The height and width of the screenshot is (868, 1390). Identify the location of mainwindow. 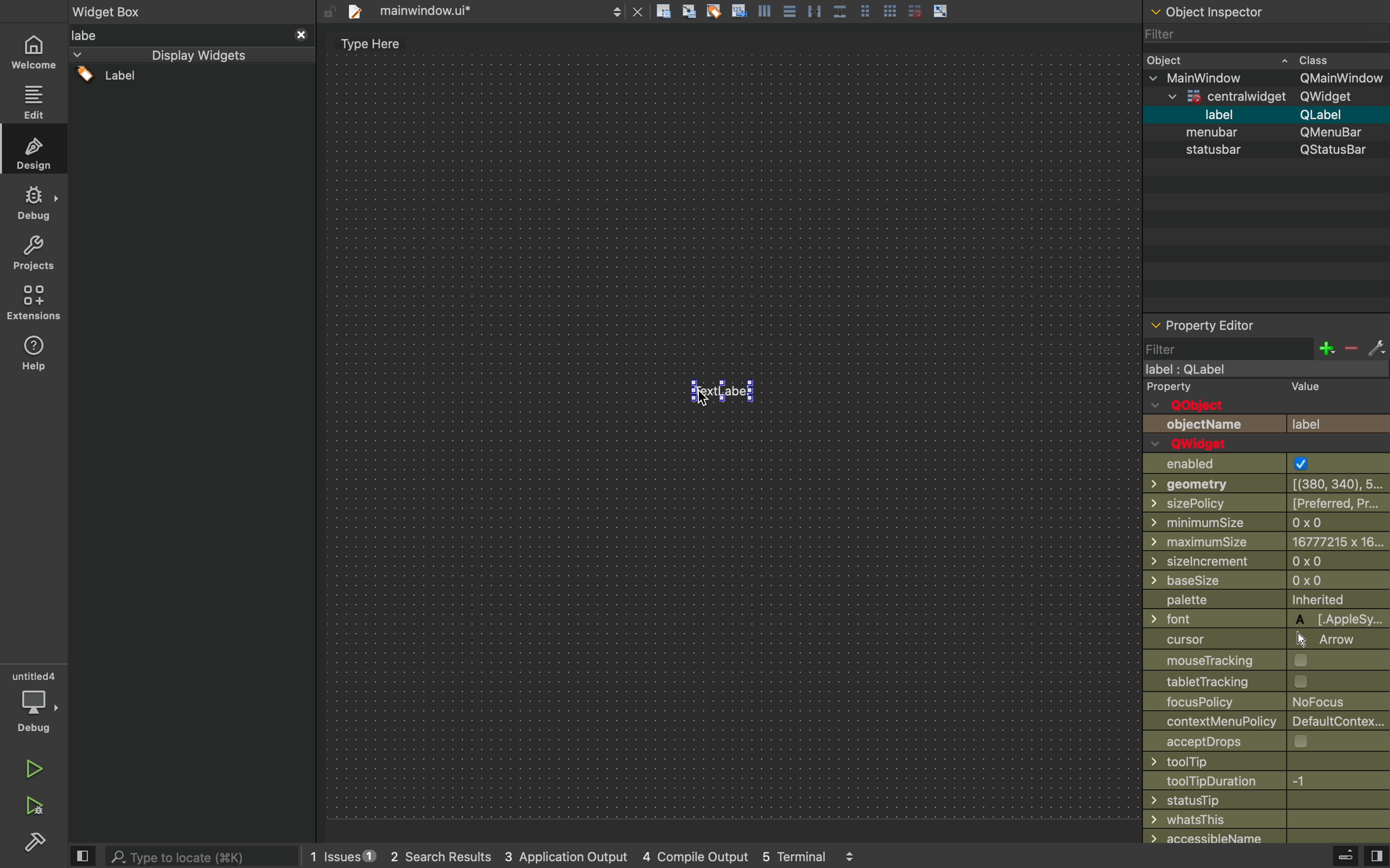
(1271, 77).